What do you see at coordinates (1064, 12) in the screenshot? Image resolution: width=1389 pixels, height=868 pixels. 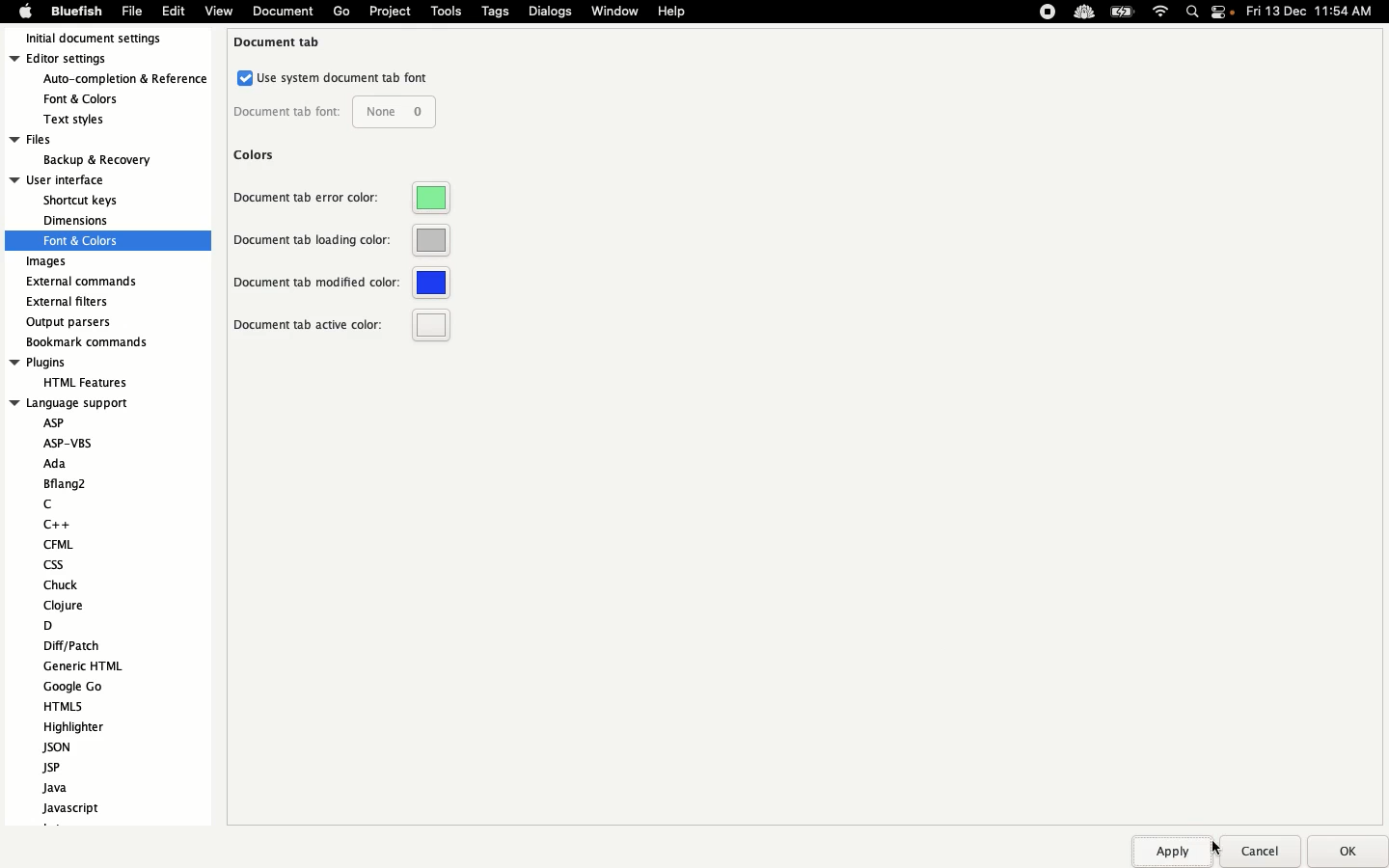 I see `Extensions` at bounding box center [1064, 12].